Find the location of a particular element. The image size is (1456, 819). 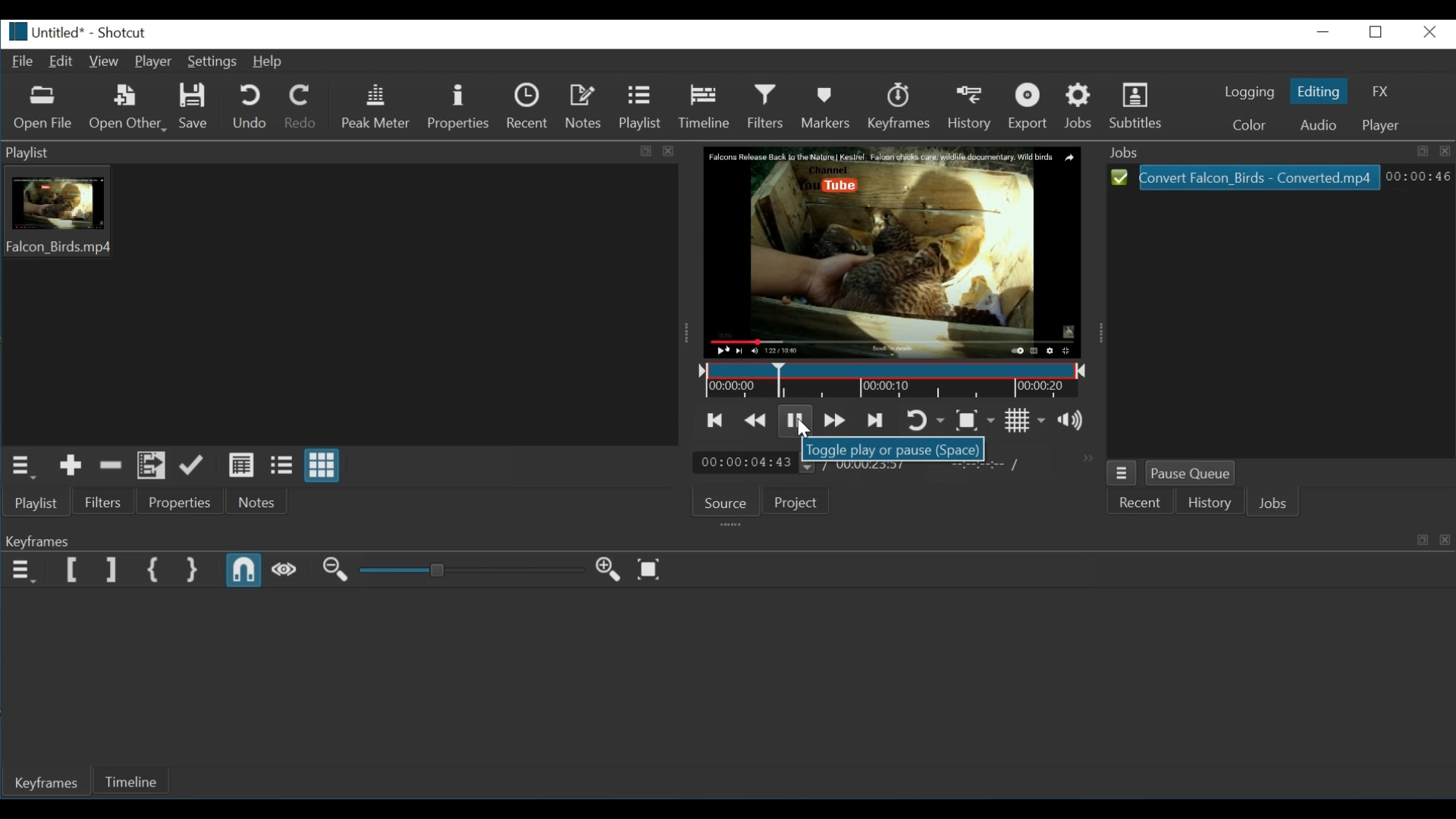

Toggle grid display on the player is located at coordinates (1026, 419).